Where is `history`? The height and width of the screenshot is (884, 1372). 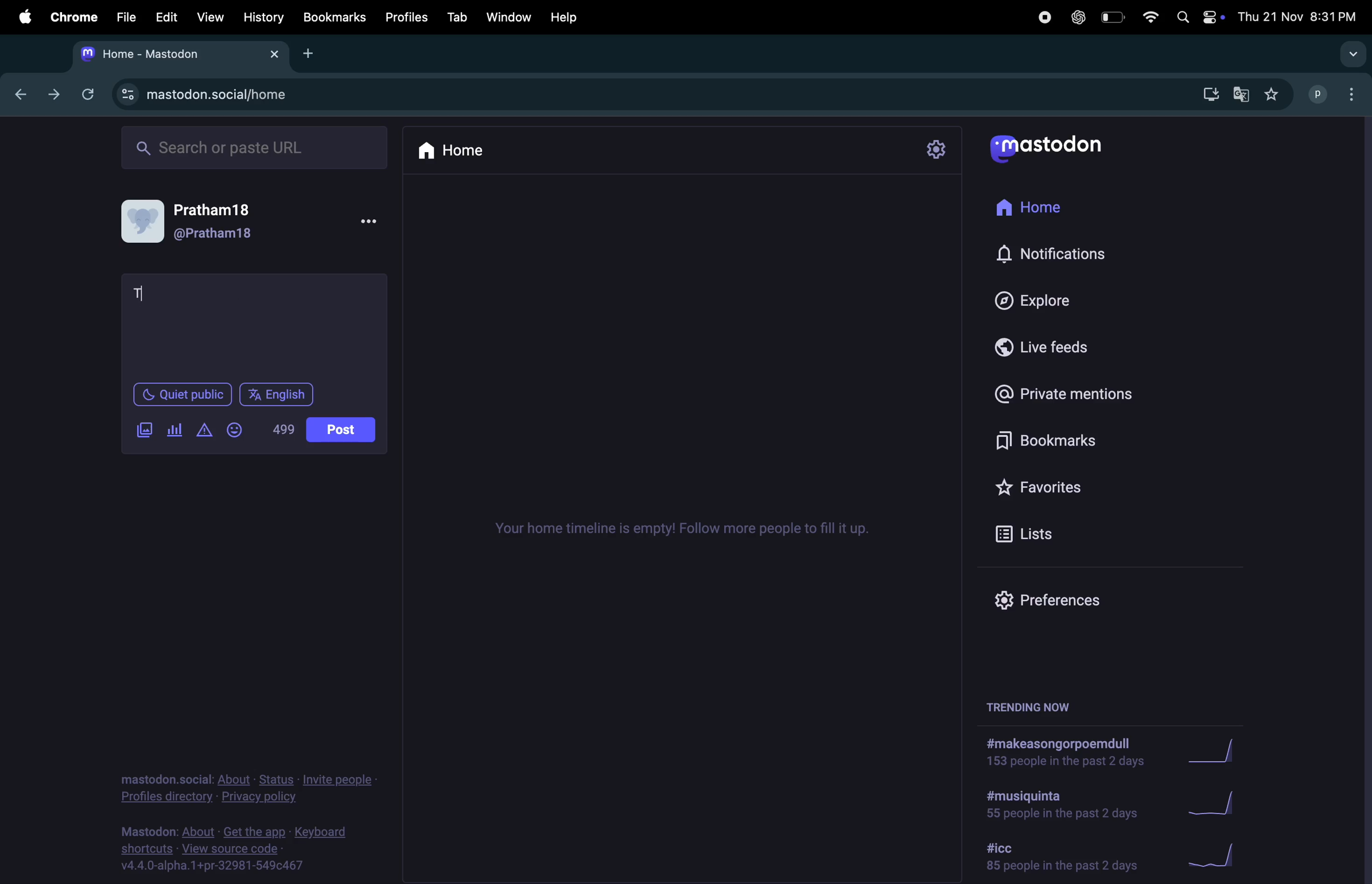 history is located at coordinates (261, 17).